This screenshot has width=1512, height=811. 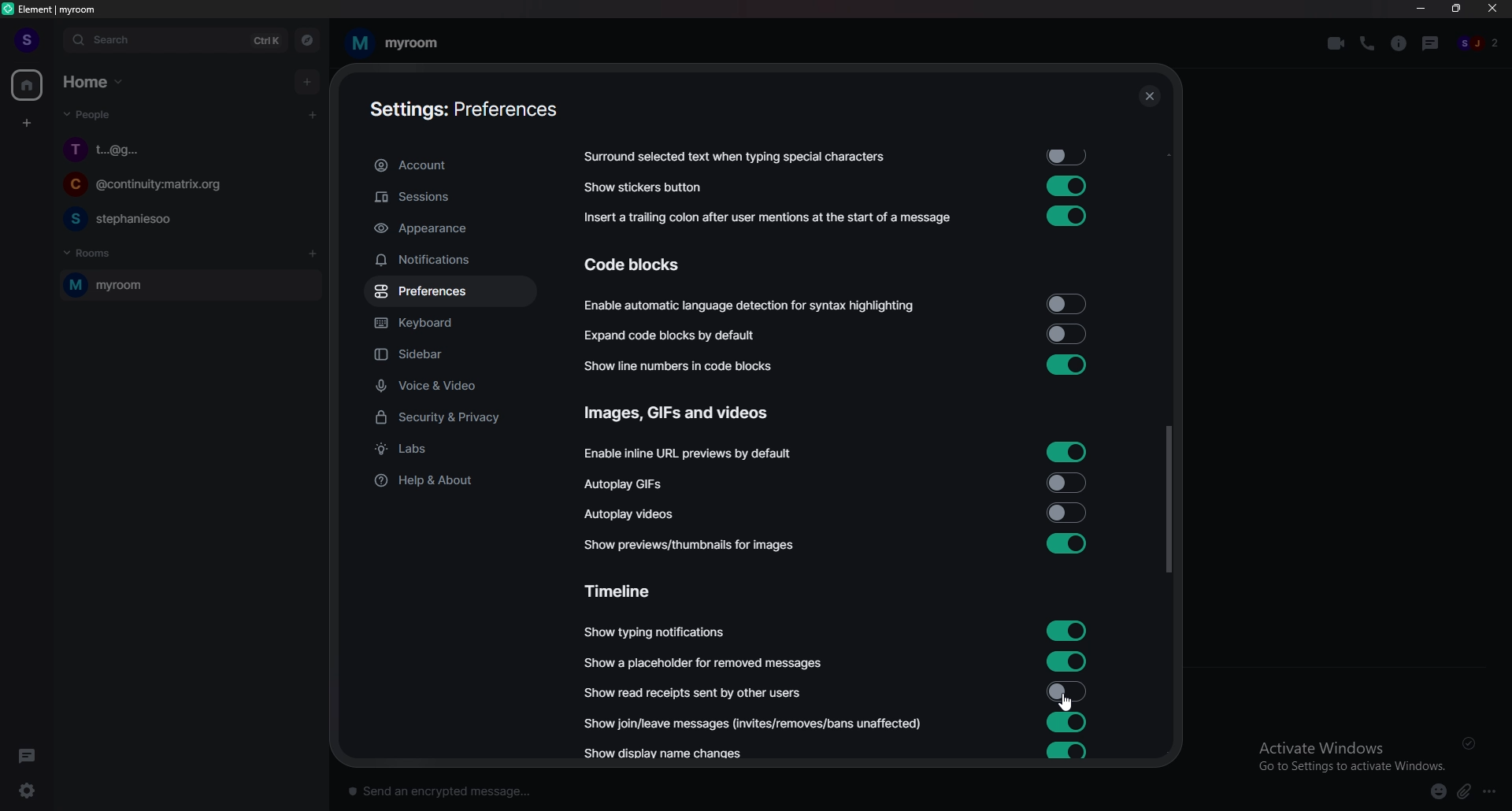 What do you see at coordinates (449, 480) in the screenshot?
I see `help` at bounding box center [449, 480].